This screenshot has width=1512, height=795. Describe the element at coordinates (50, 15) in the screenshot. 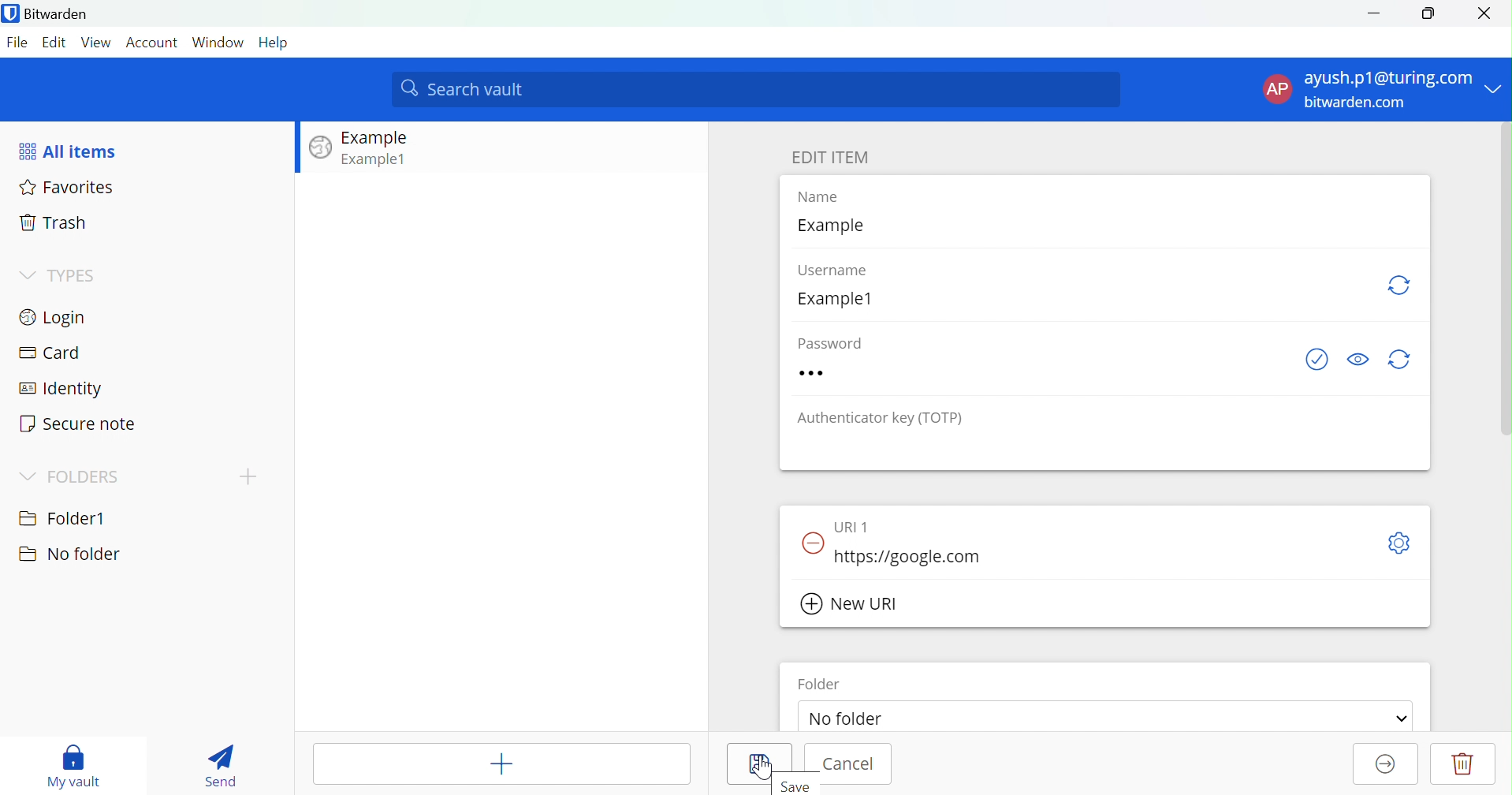

I see `Bitwarden` at that location.